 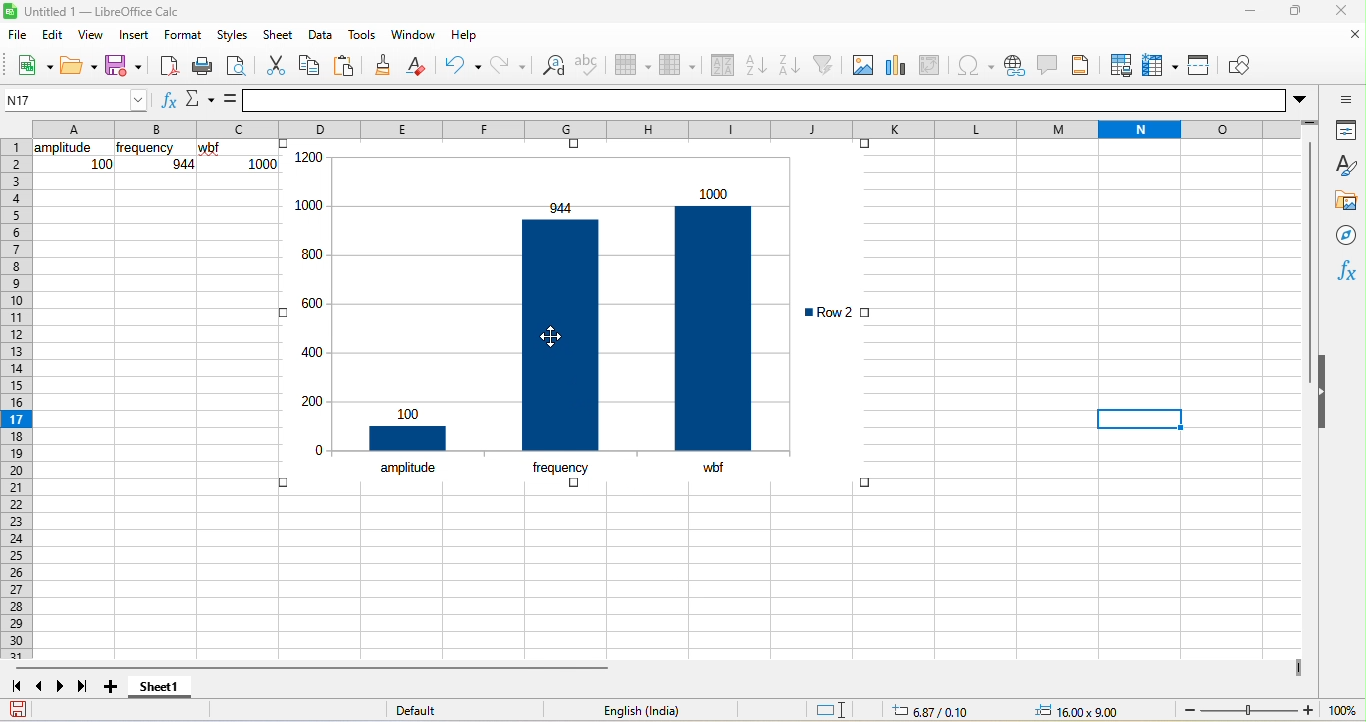 I want to click on comment, so click(x=1050, y=67).